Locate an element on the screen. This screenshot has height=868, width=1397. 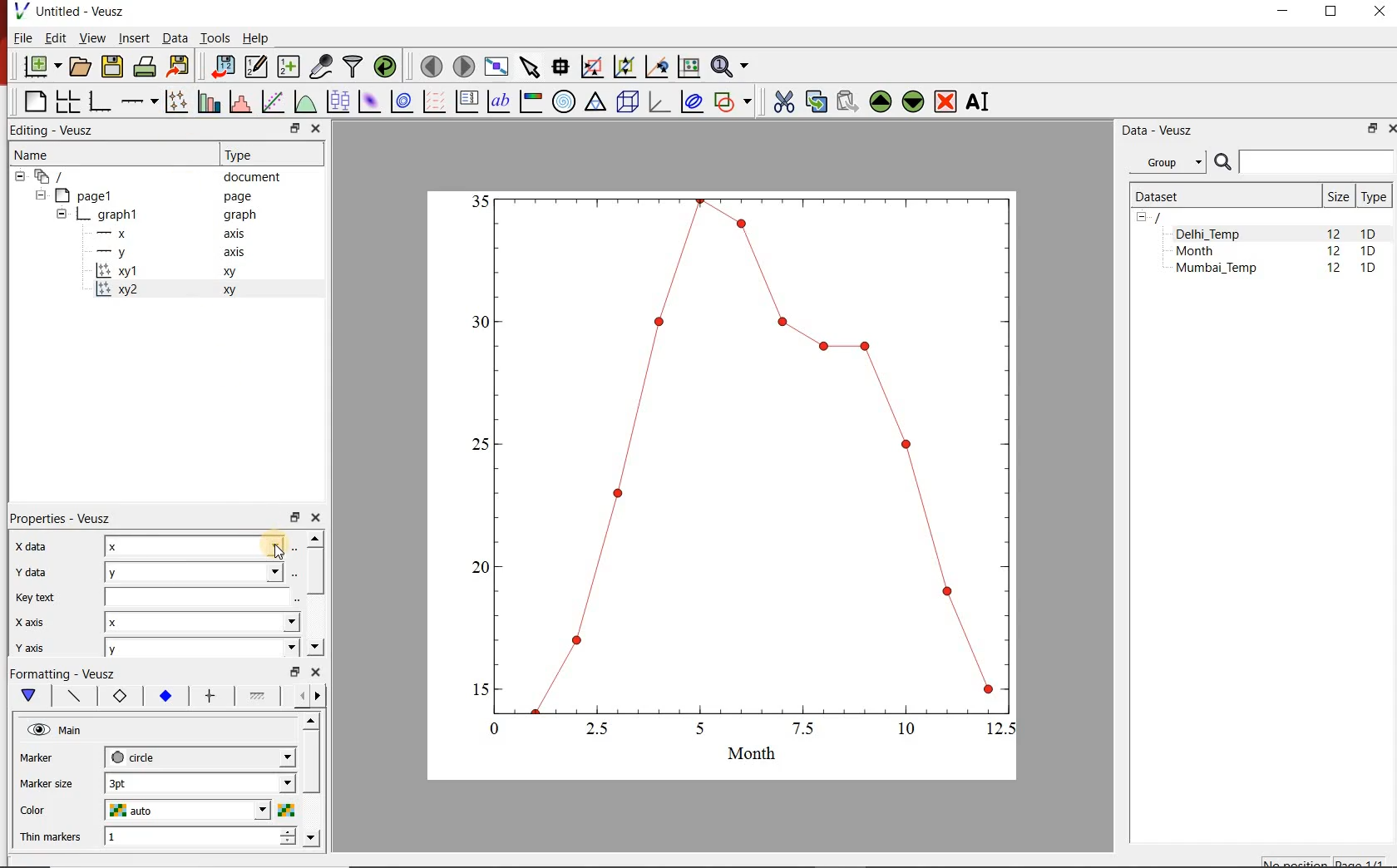
Minor ticks is located at coordinates (259, 696).